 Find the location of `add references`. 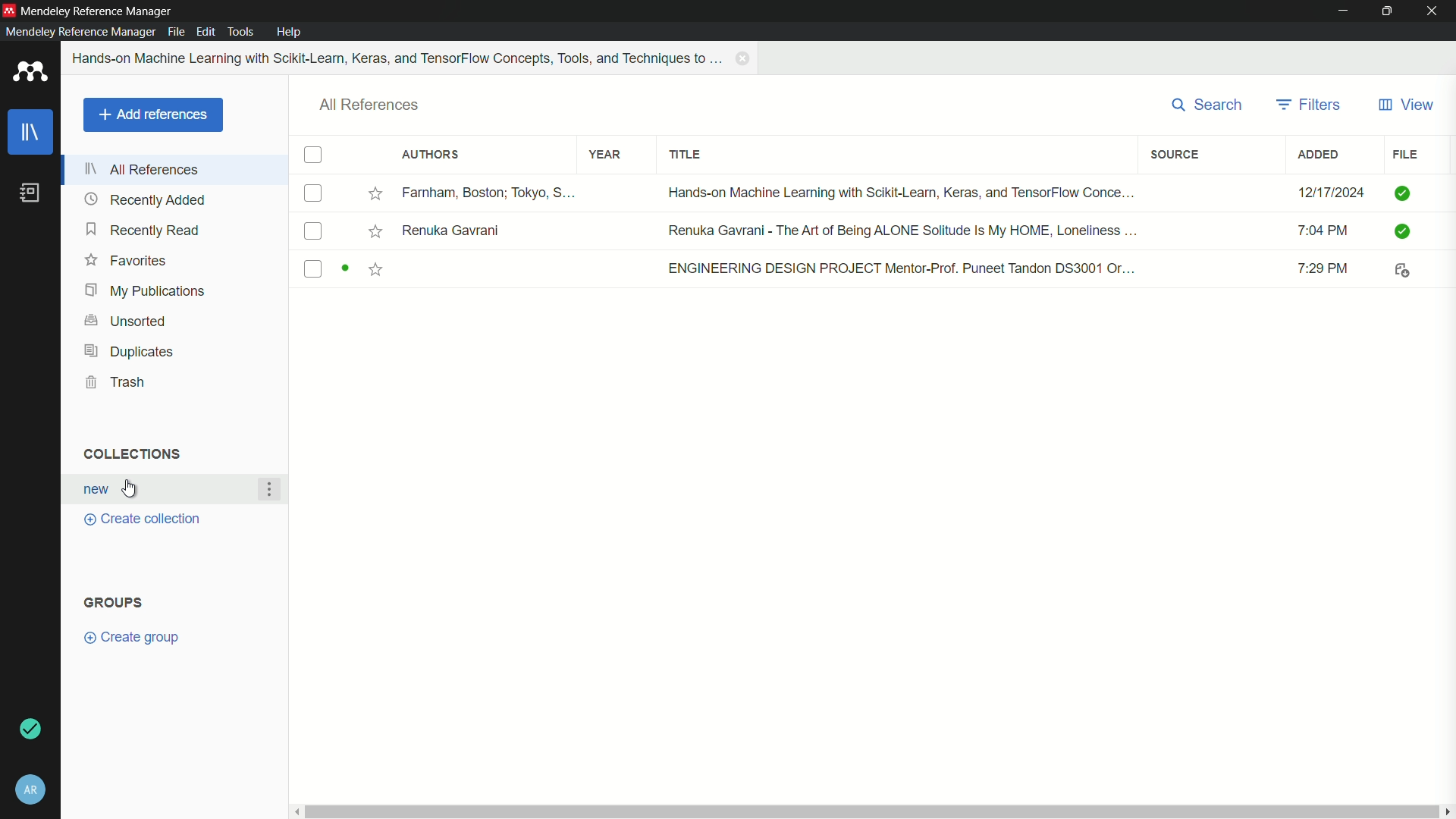

add references is located at coordinates (152, 115).